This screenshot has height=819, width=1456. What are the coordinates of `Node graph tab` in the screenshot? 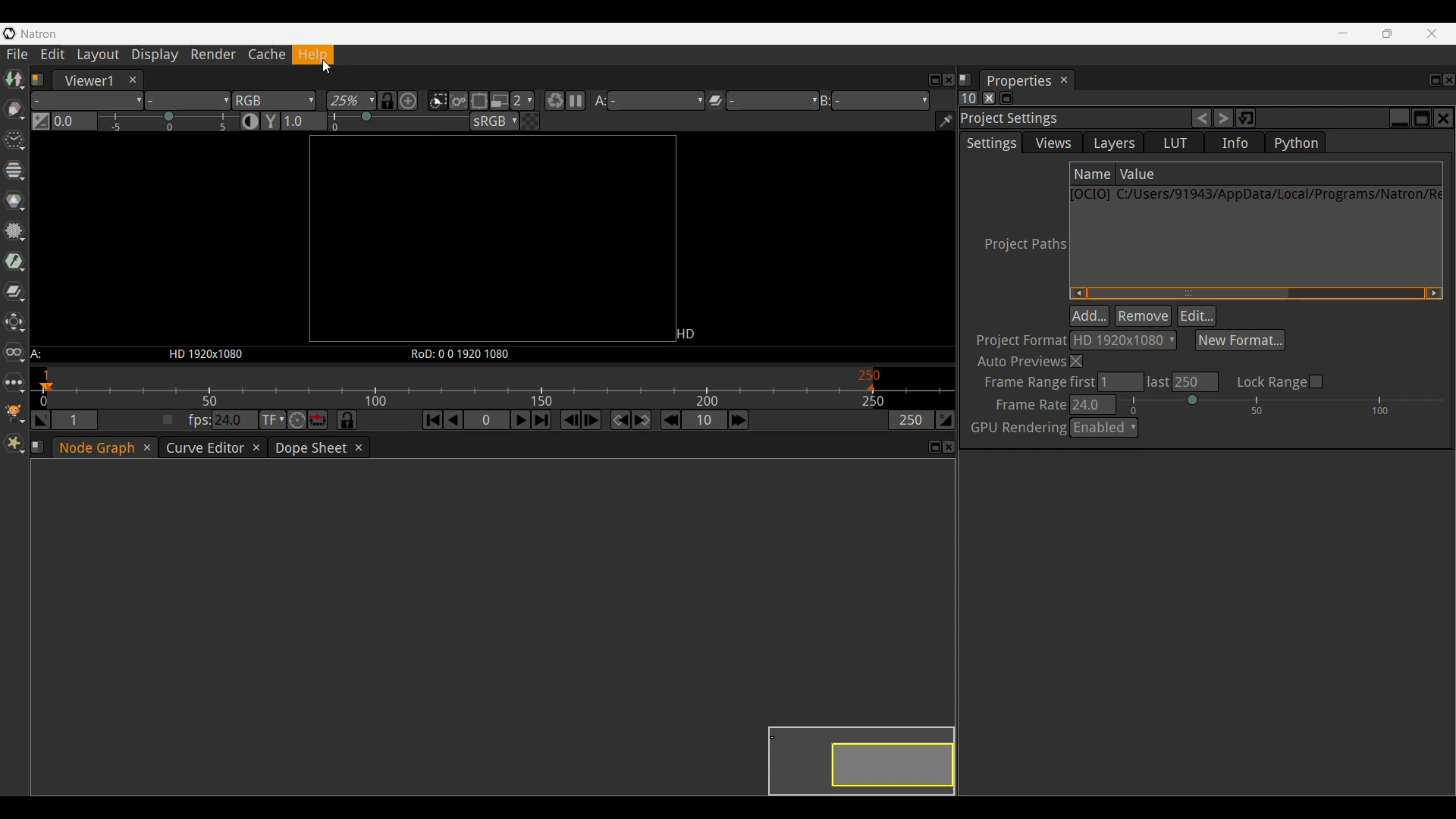 It's located at (93, 447).